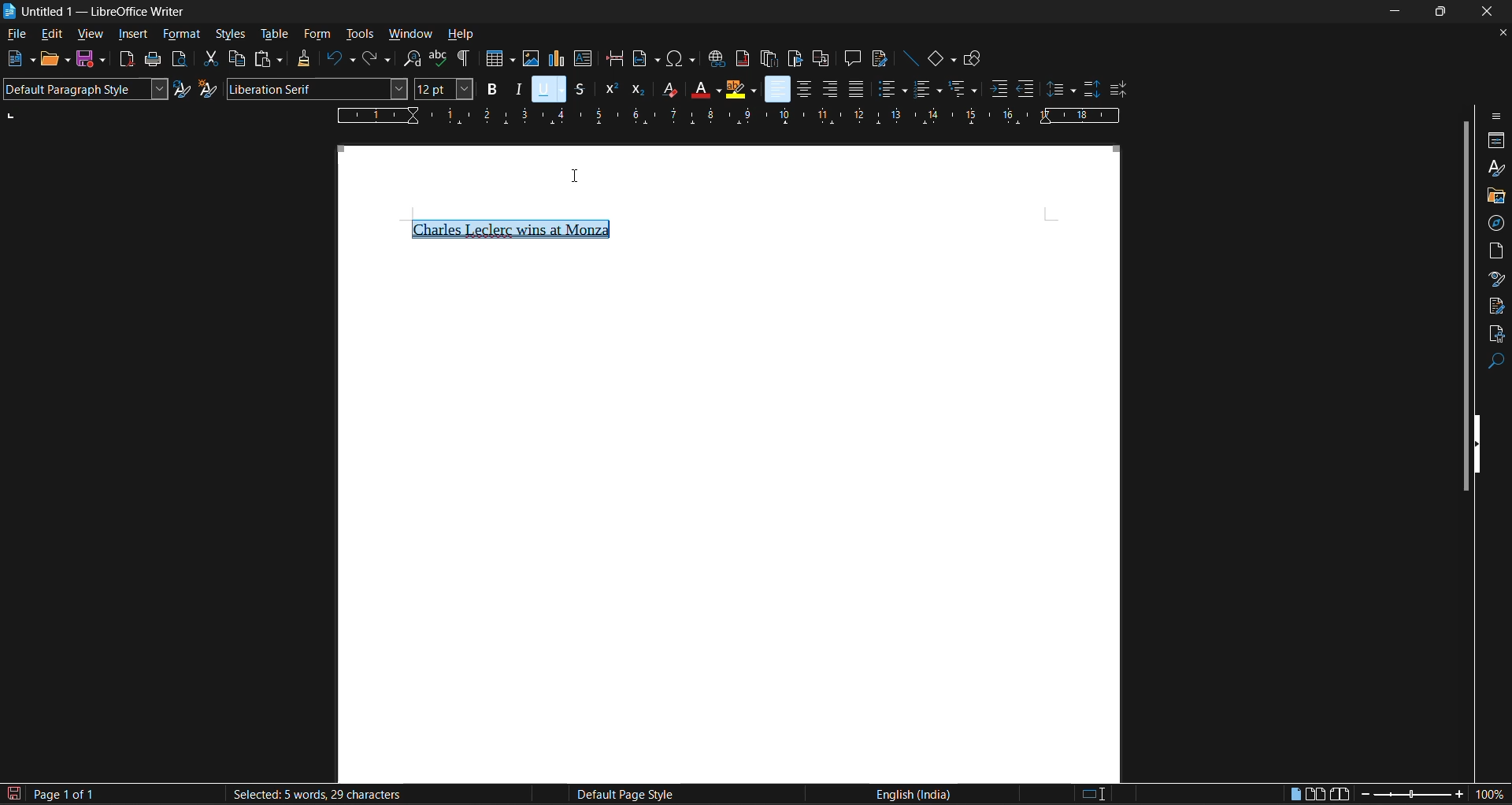 The image size is (1512, 805). Describe the element at coordinates (1497, 249) in the screenshot. I see `page` at that location.